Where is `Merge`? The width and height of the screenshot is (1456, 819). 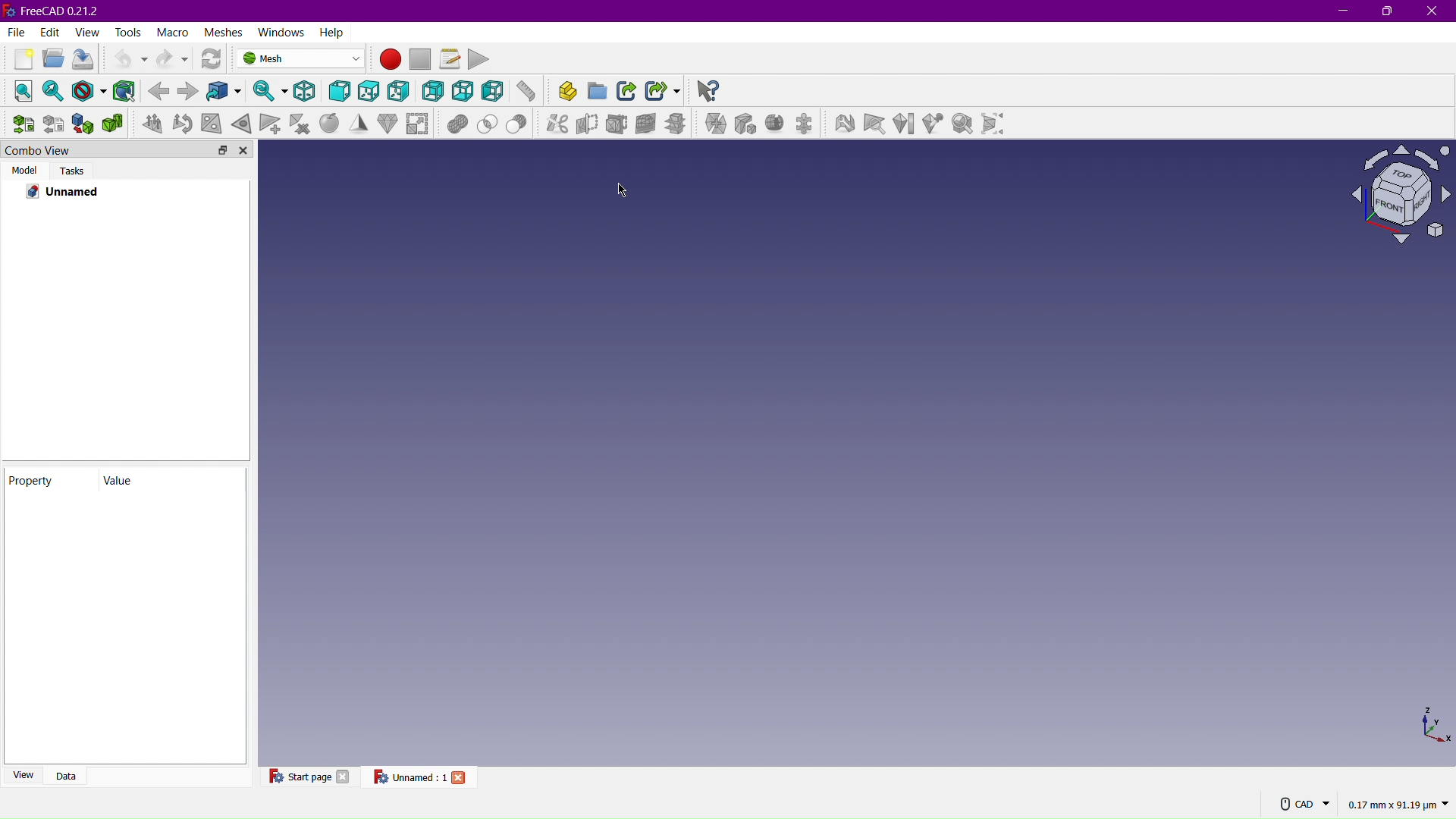 Merge is located at coordinates (714, 125).